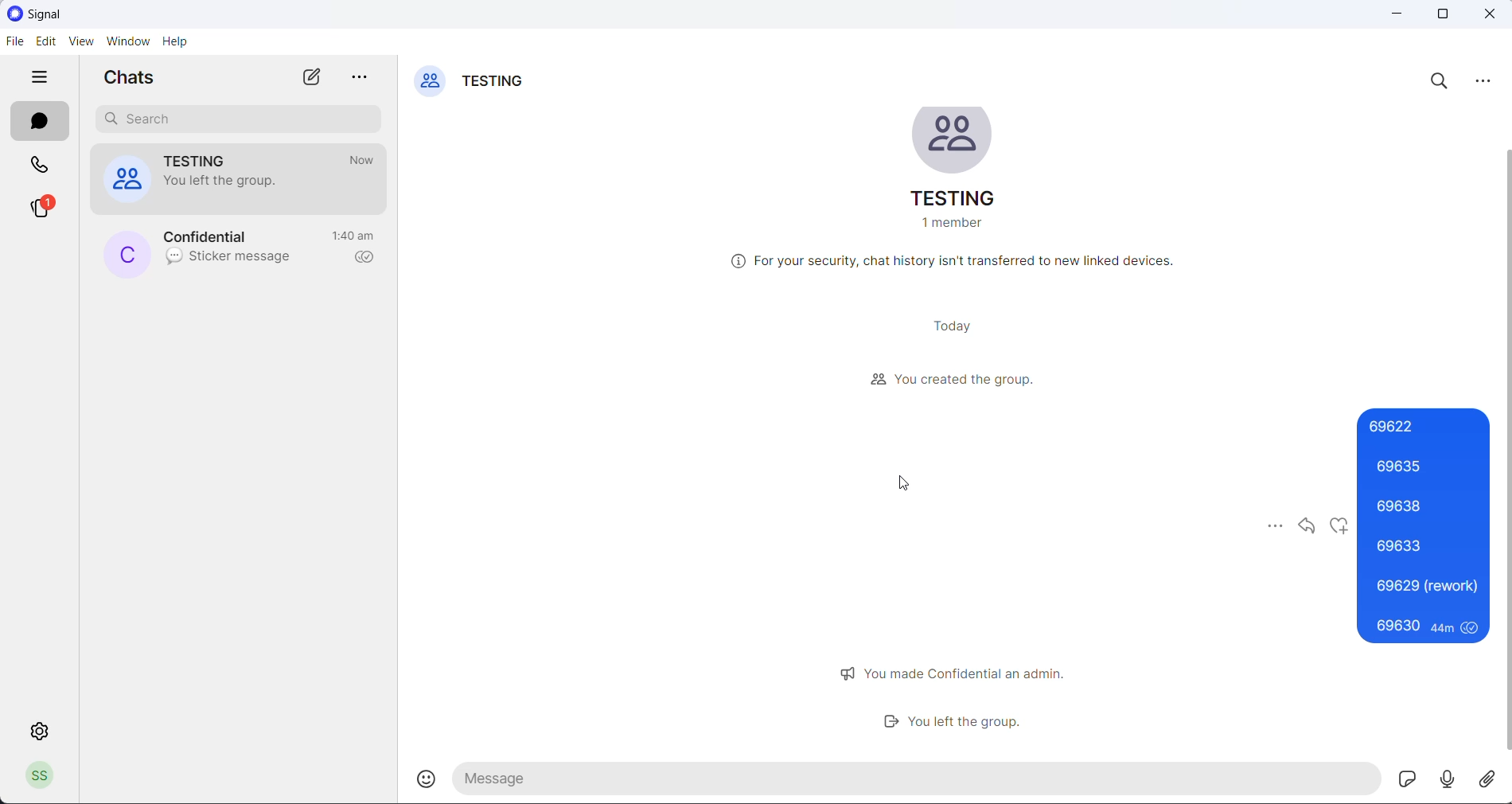  What do you see at coordinates (231, 260) in the screenshot?
I see `last message` at bounding box center [231, 260].